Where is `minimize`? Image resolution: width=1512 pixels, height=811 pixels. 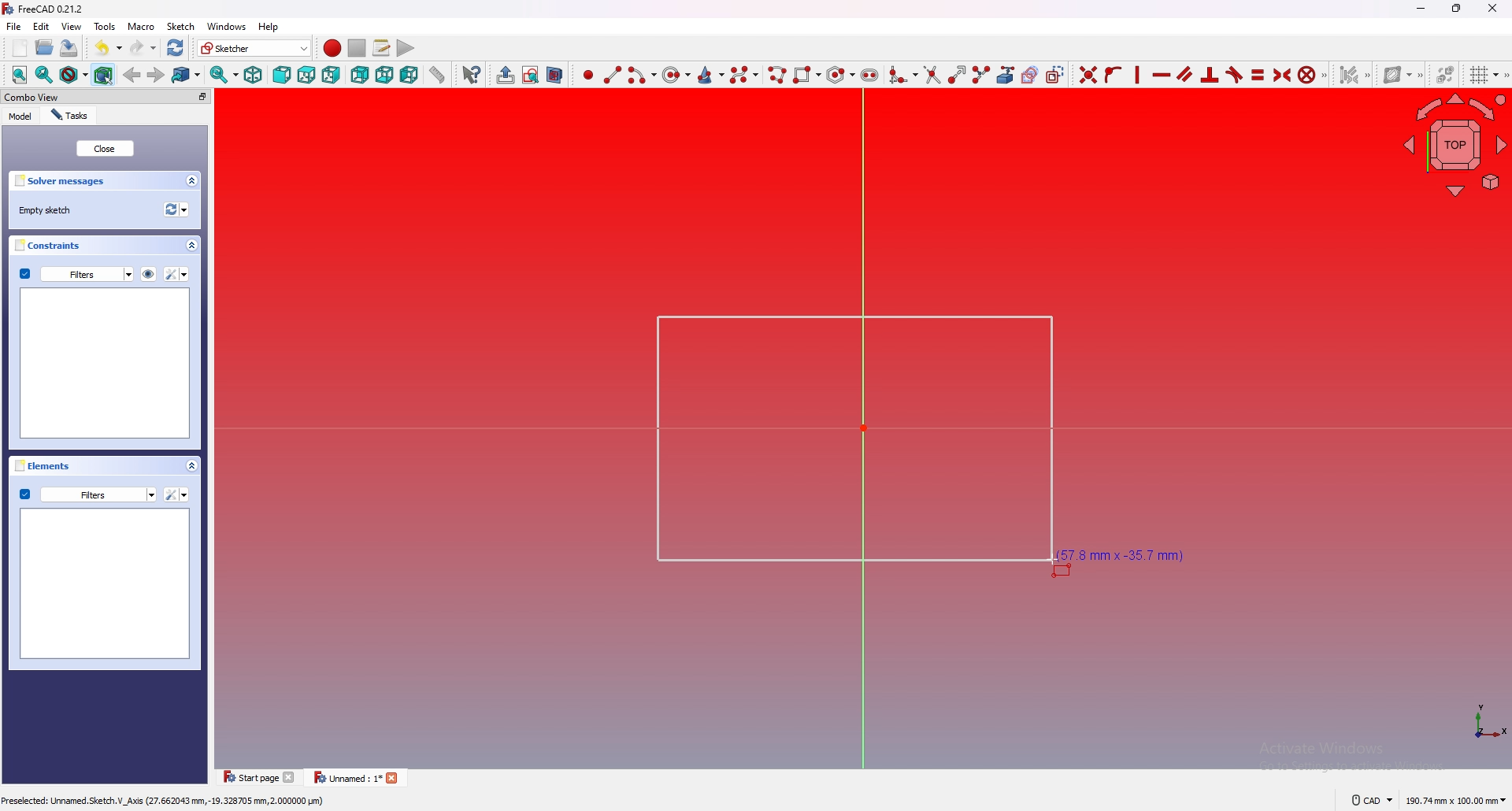
minimize is located at coordinates (1420, 10).